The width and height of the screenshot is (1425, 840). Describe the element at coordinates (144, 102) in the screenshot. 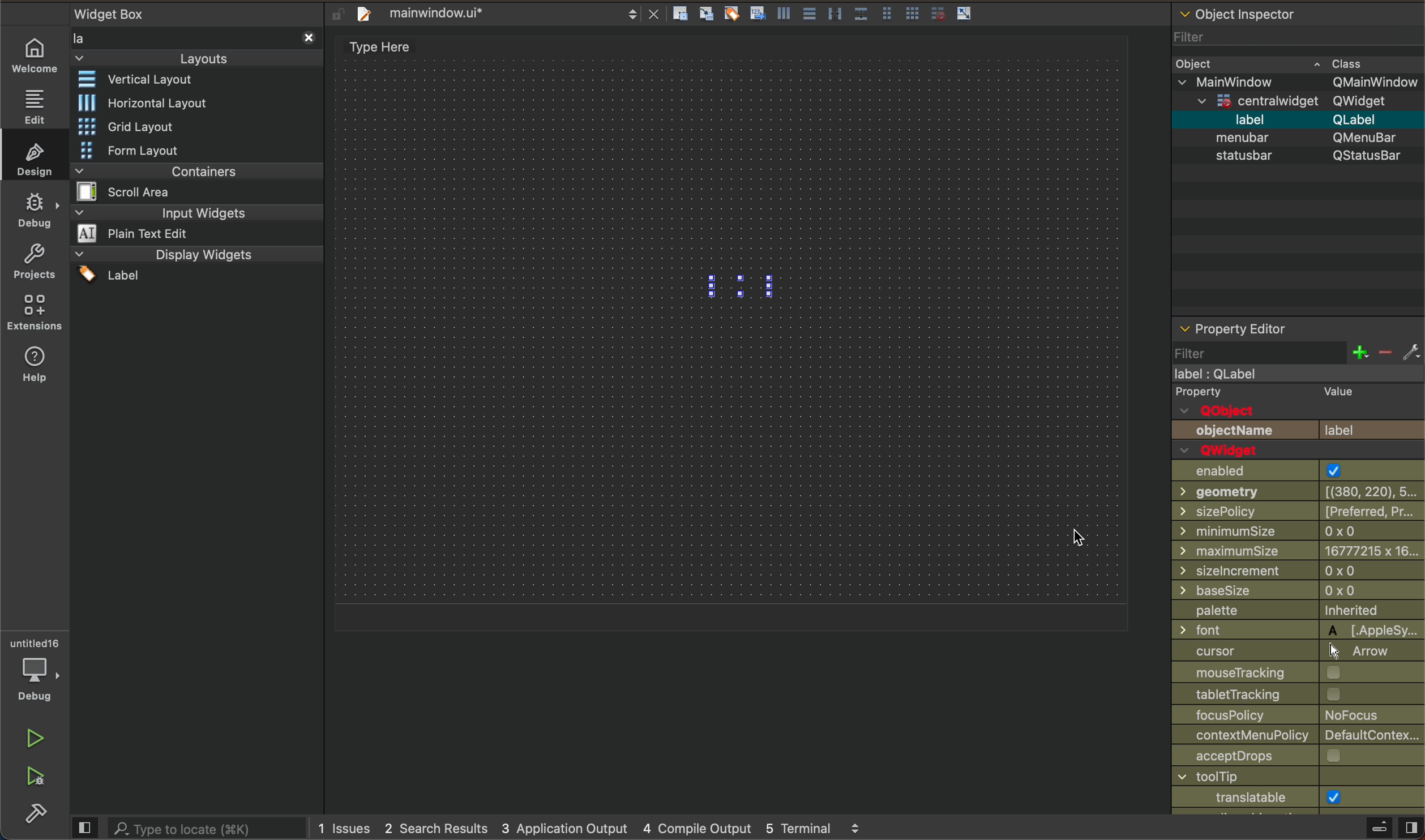

I see `historical layout` at that location.